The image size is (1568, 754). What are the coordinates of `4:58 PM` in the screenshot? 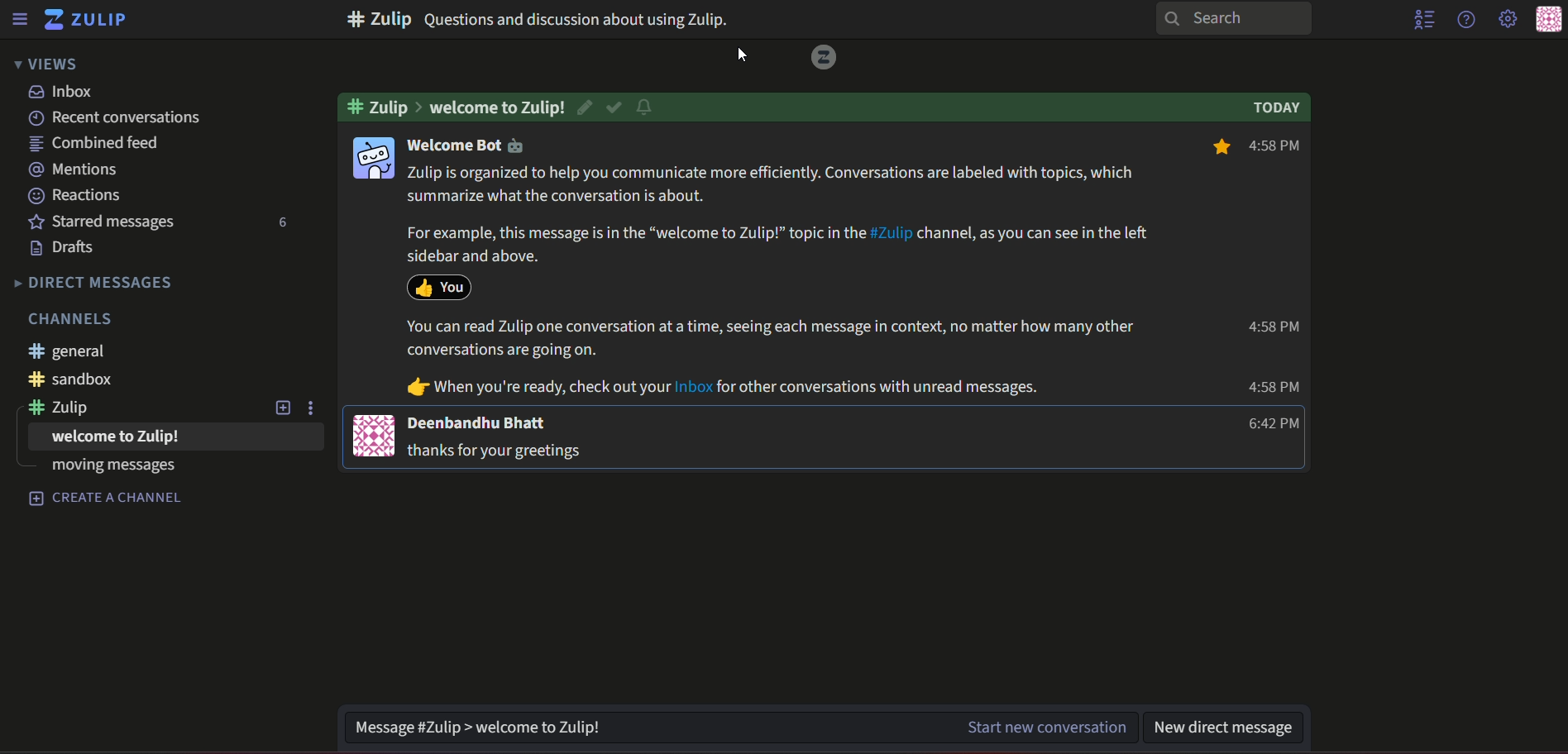 It's located at (1277, 146).